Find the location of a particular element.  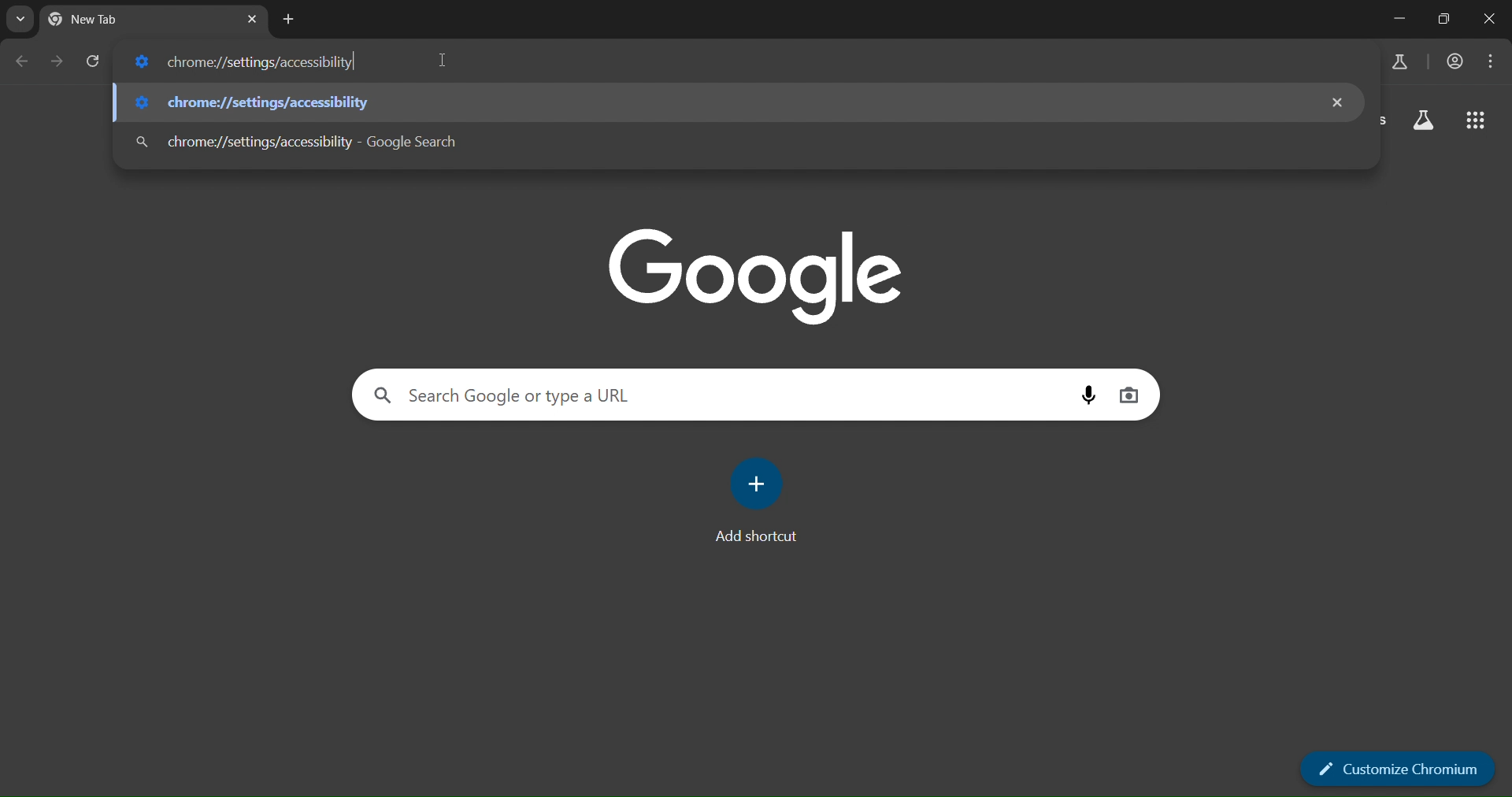

chrome://settings/accessibility is located at coordinates (263, 103).